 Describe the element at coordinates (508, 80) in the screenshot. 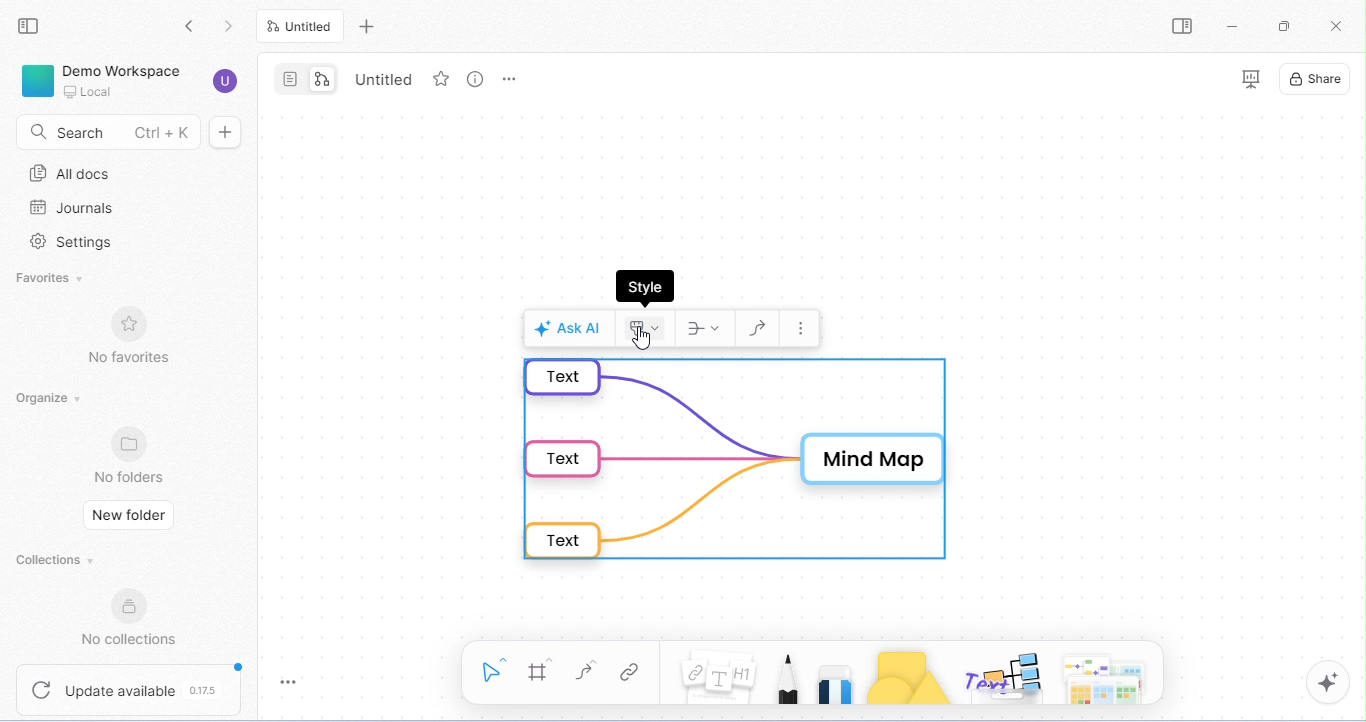

I see `tab options` at that location.